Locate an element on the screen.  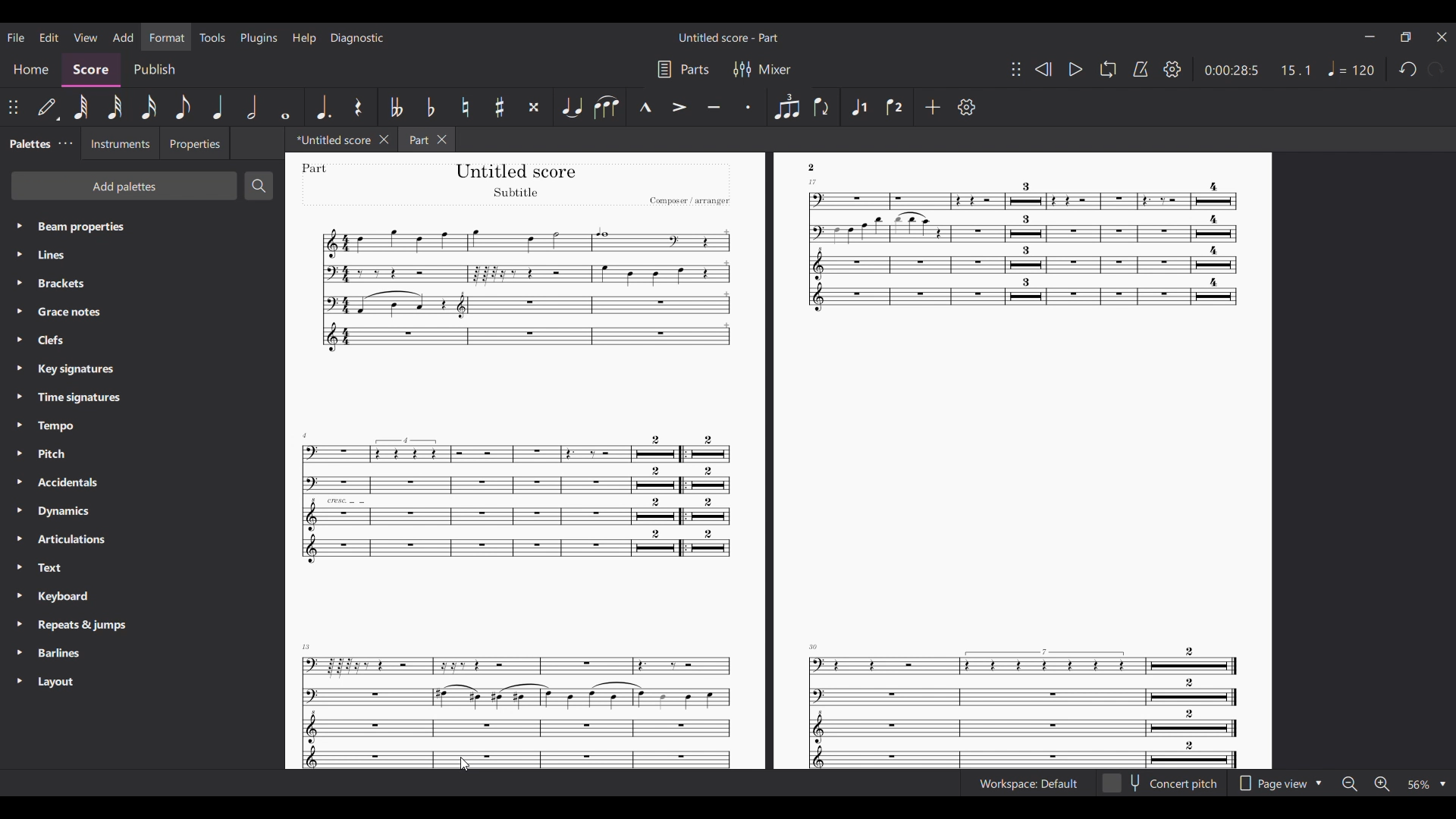
Brackets is located at coordinates (71, 284).